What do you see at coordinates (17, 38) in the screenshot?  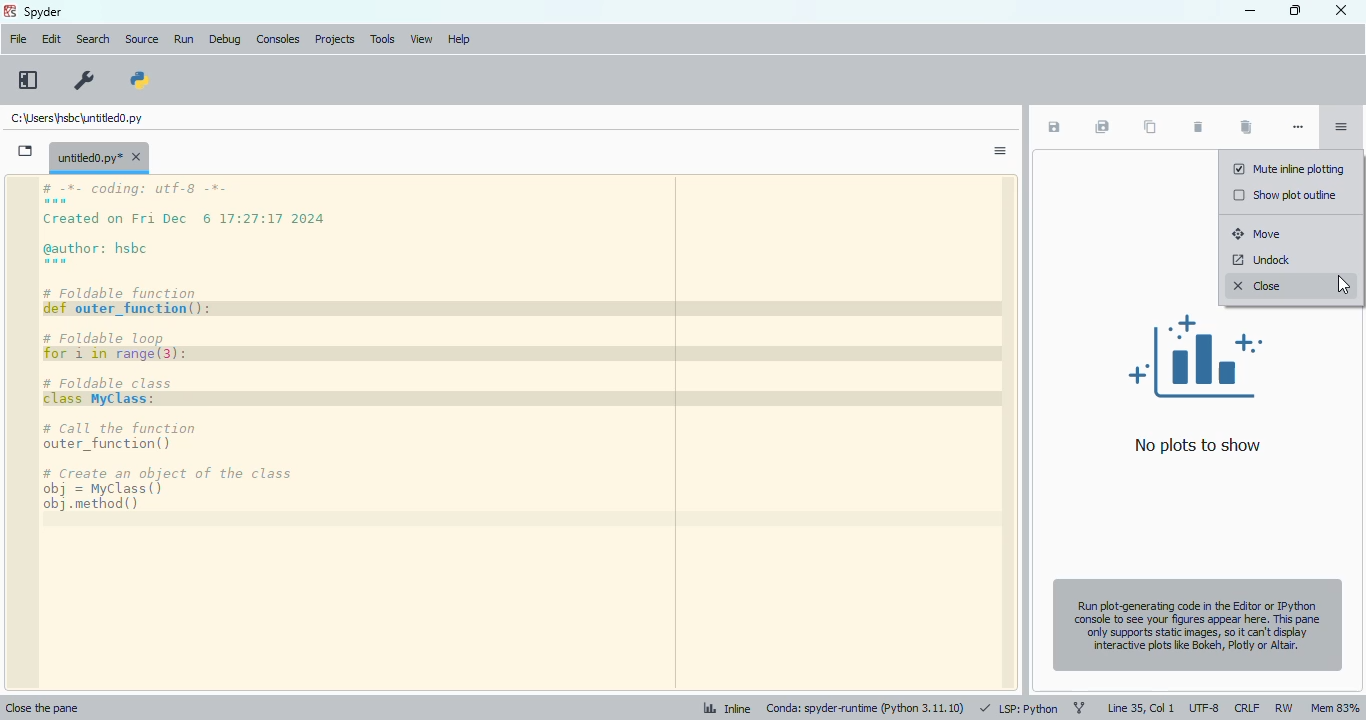 I see `file` at bounding box center [17, 38].